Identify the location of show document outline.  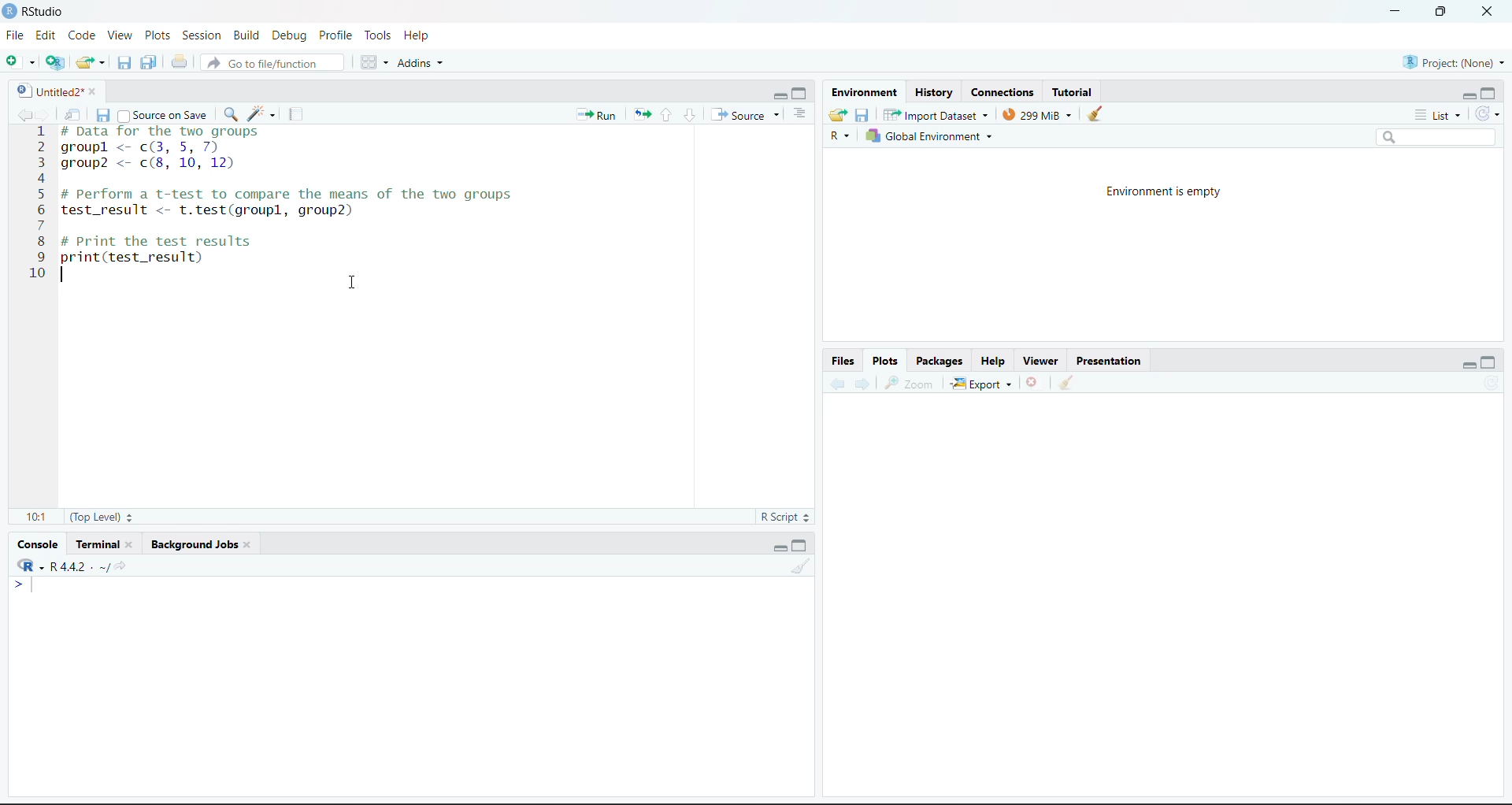
(802, 113).